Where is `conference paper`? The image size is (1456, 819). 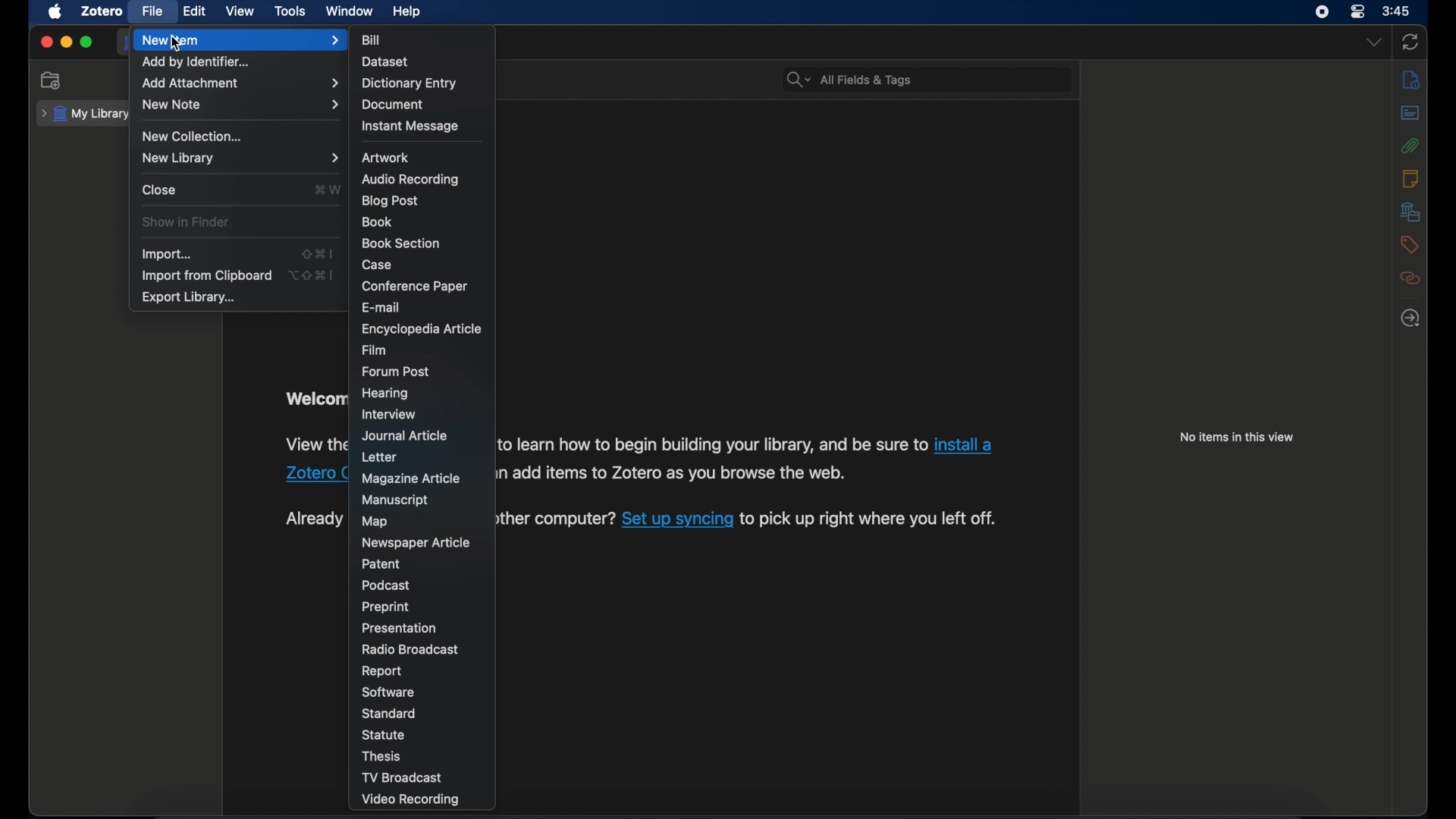 conference paper is located at coordinates (417, 286).